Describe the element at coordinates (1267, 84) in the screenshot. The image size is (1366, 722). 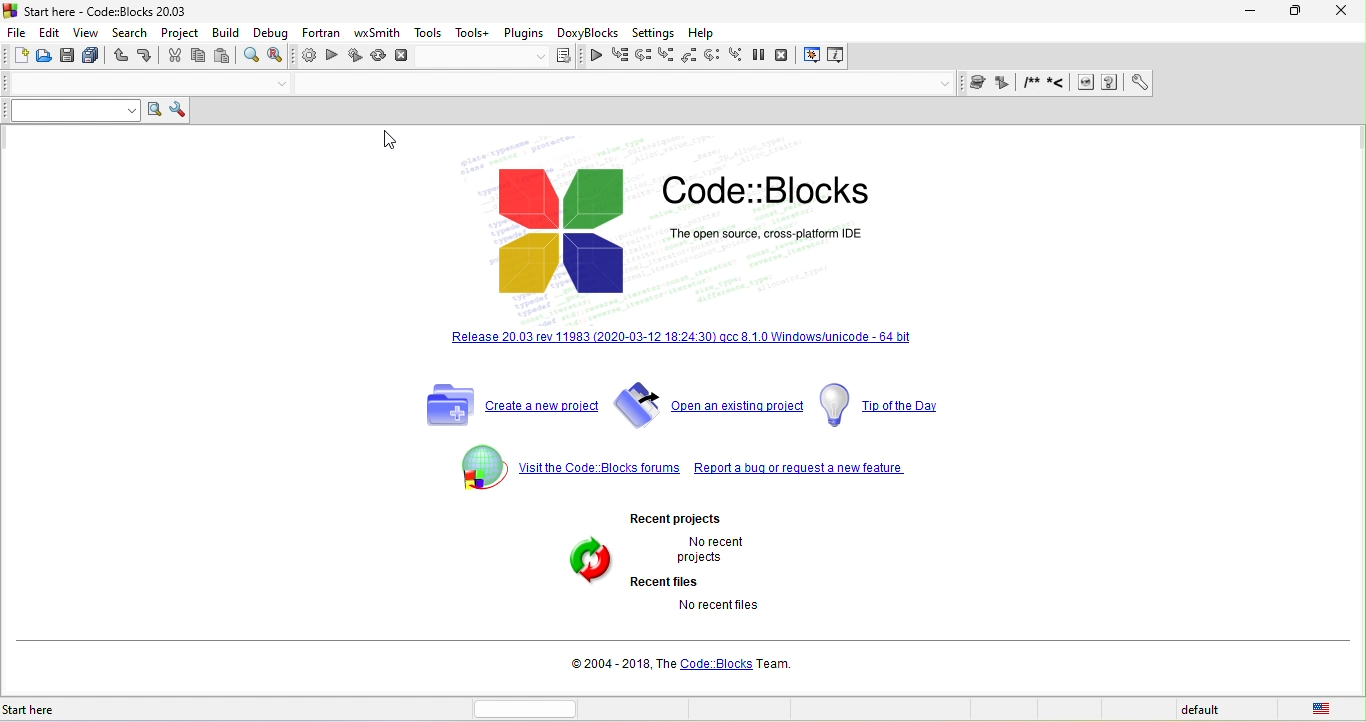
I see `run chm` at that location.